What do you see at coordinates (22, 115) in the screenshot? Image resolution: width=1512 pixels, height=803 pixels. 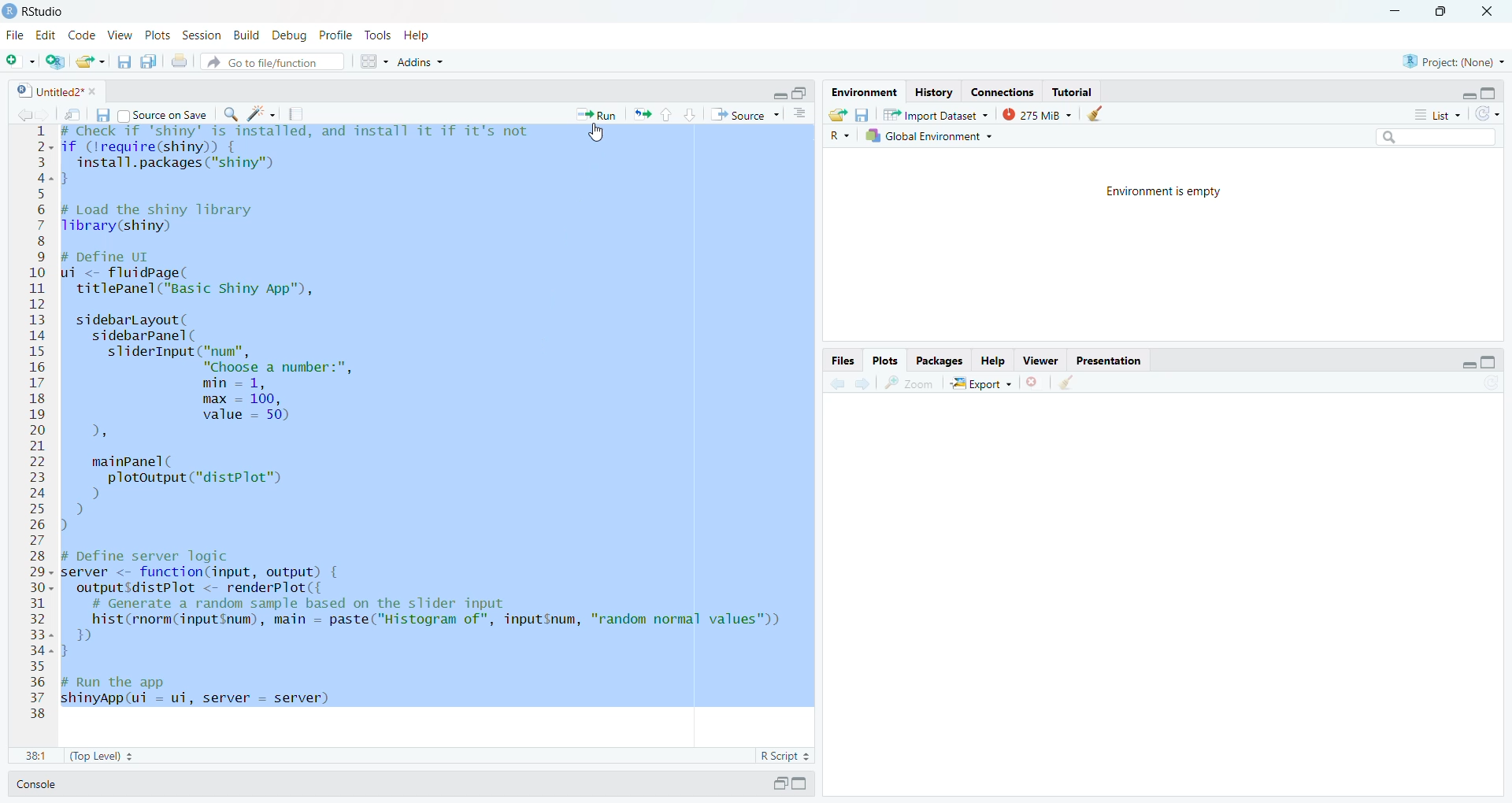 I see `back` at bounding box center [22, 115].